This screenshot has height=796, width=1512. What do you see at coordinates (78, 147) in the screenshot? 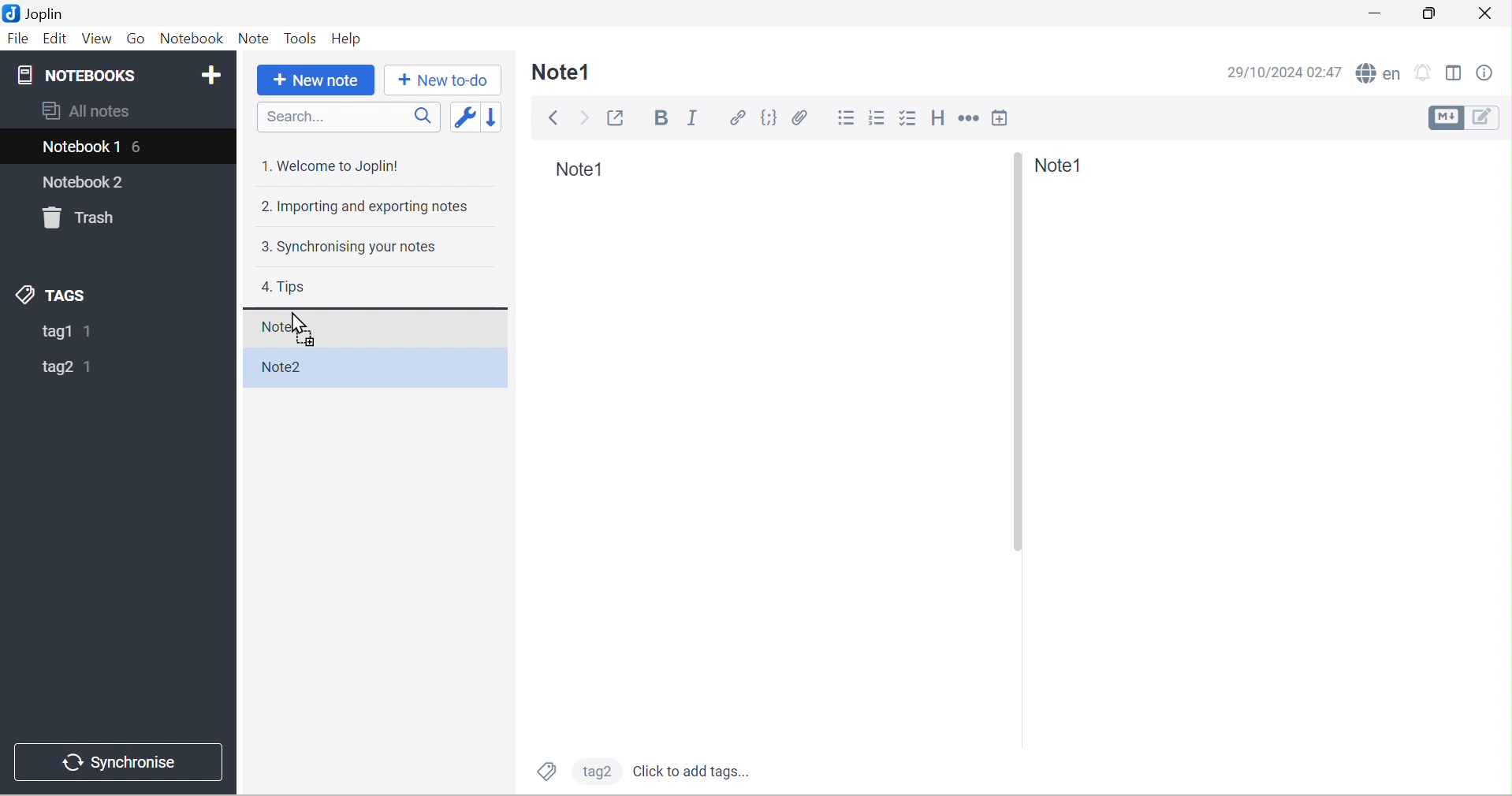
I see `Notebook1` at bounding box center [78, 147].